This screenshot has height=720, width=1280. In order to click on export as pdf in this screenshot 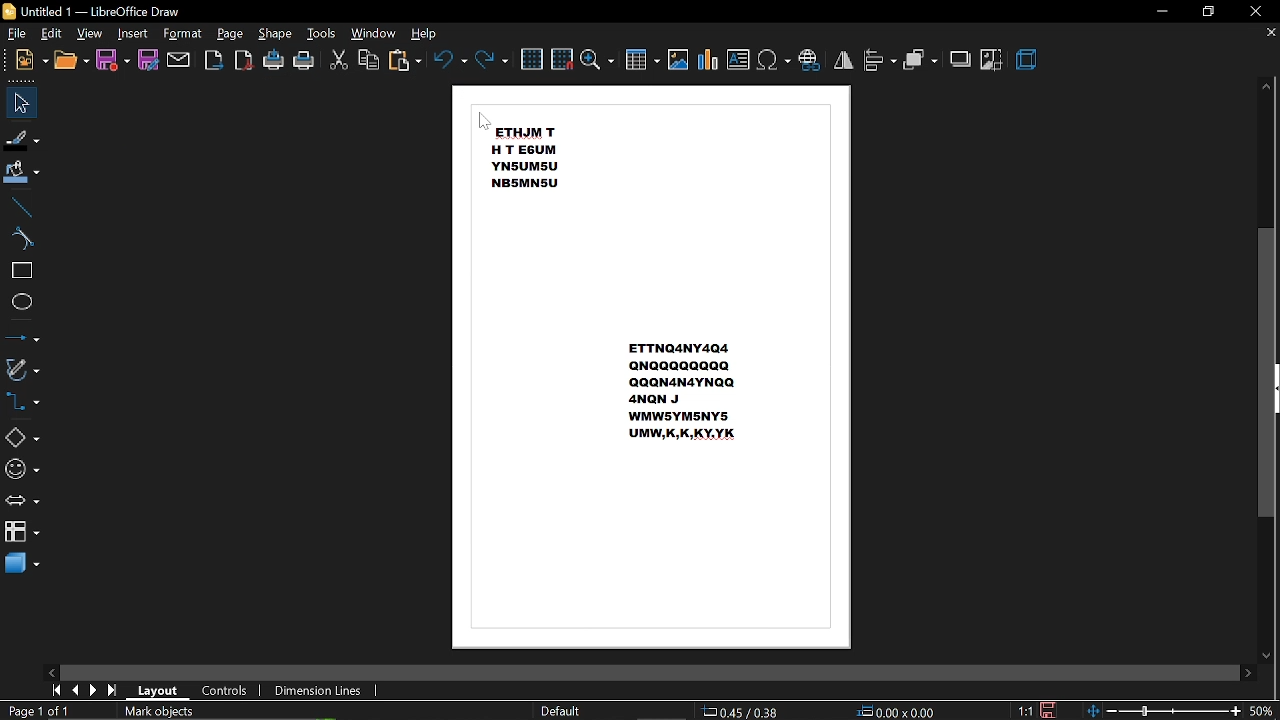, I will do `click(243, 62)`.